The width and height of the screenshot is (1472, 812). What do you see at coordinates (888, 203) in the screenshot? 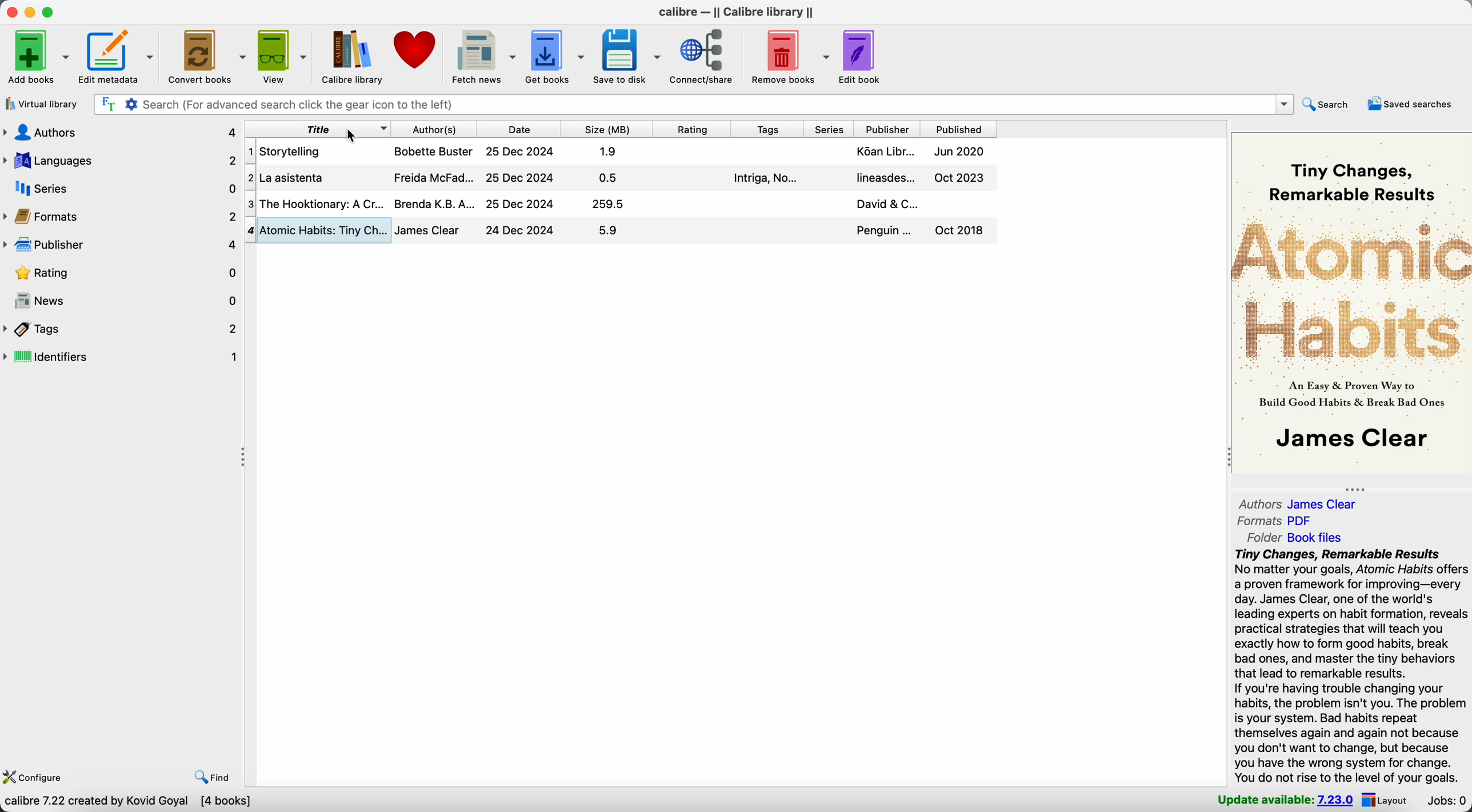
I see `david & C...` at bounding box center [888, 203].